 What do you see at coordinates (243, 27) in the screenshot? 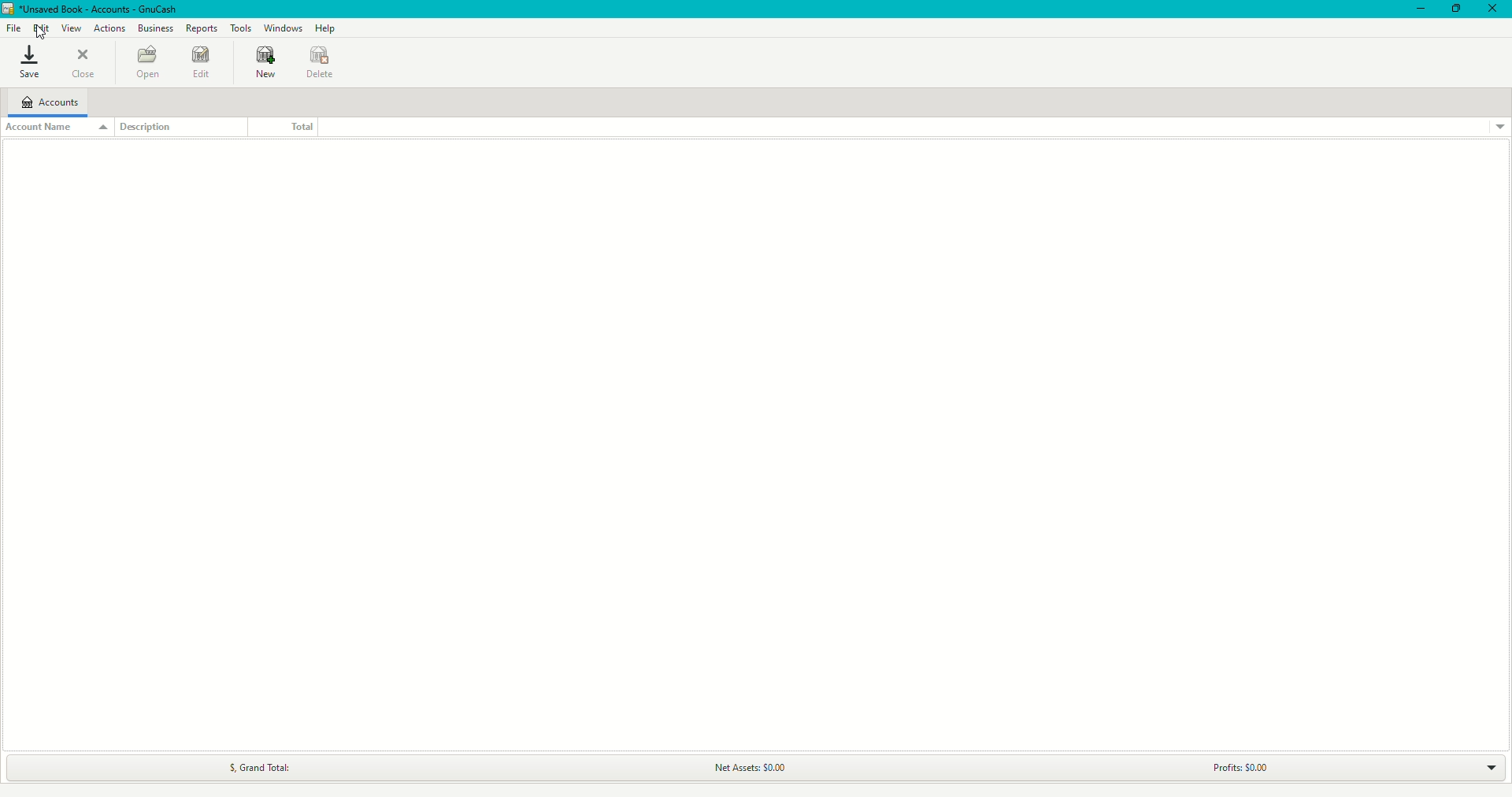
I see `Tools` at bounding box center [243, 27].